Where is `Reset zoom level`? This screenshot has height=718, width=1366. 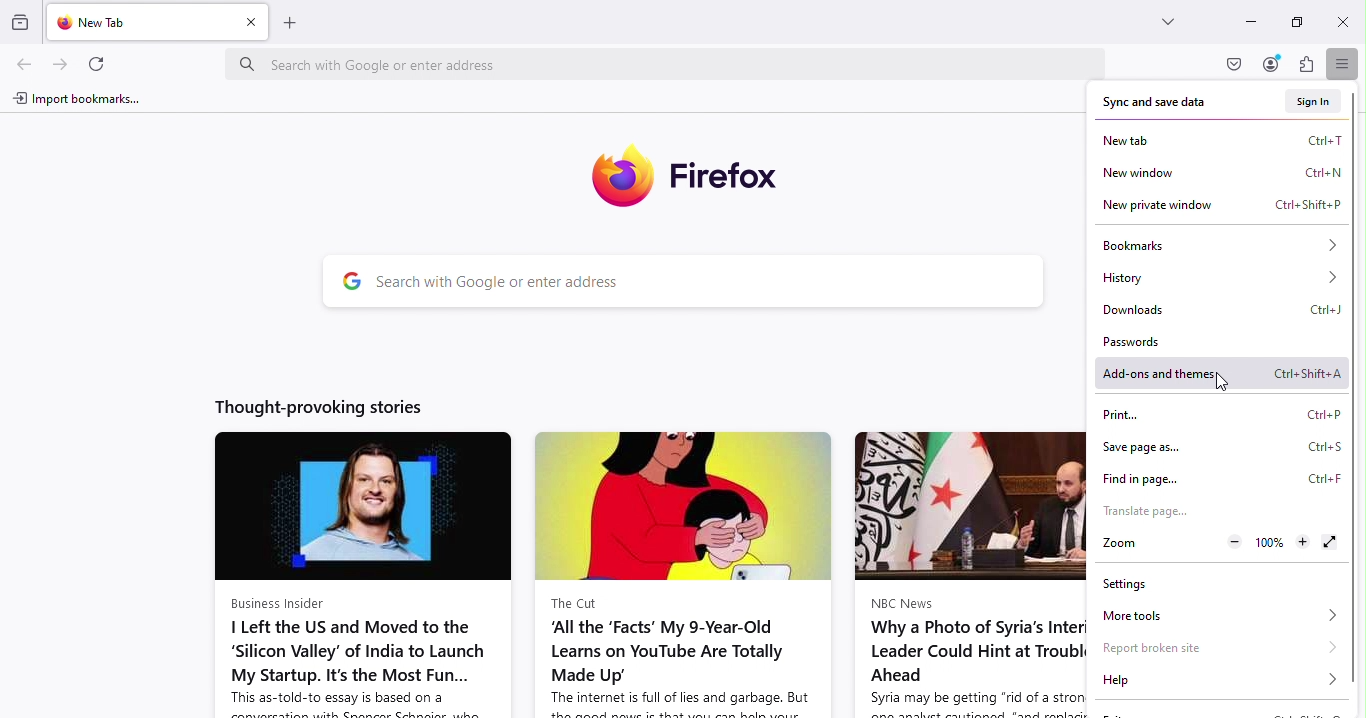 Reset zoom level is located at coordinates (1266, 543).